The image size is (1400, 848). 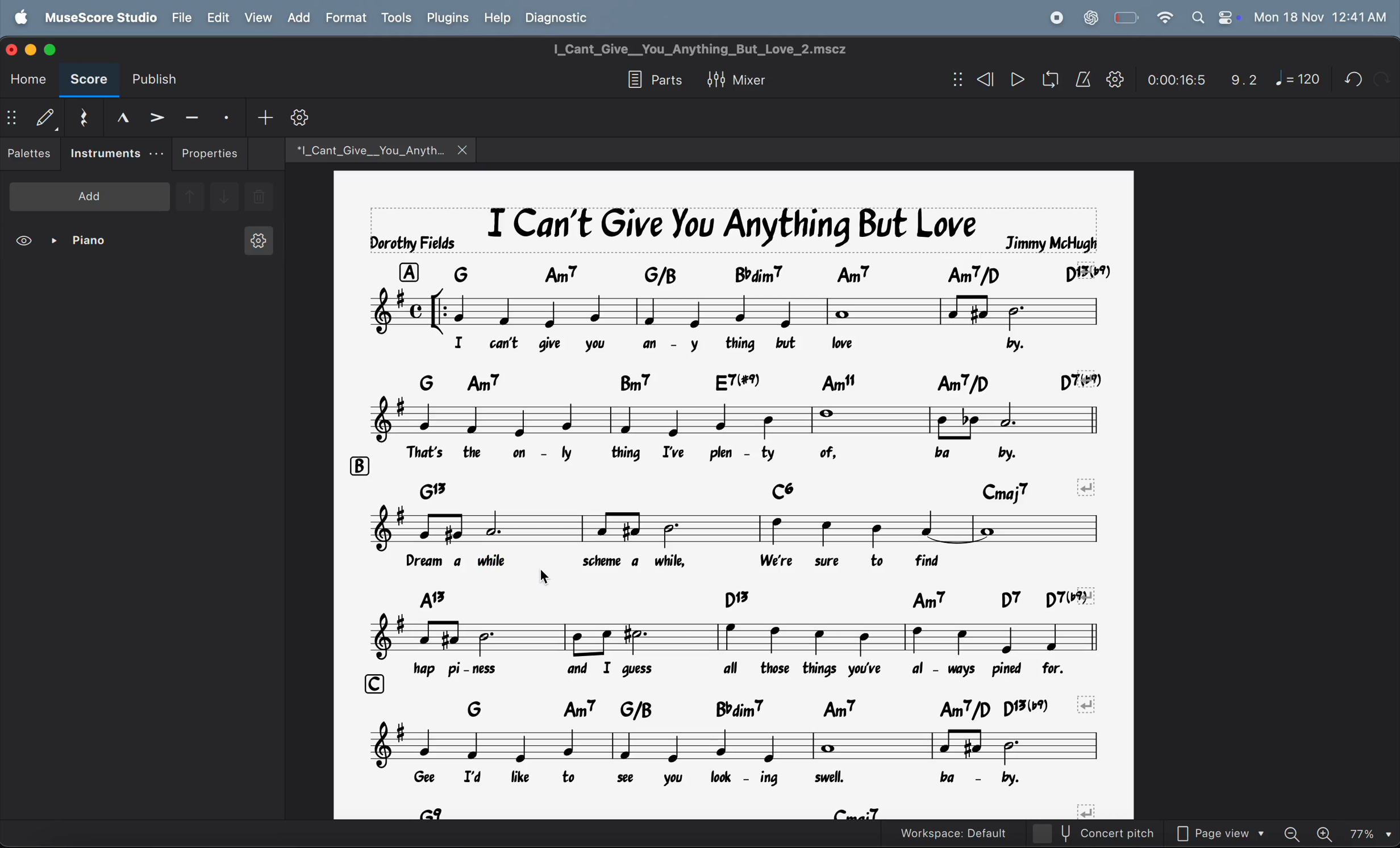 What do you see at coordinates (986, 79) in the screenshot?
I see `rewind` at bounding box center [986, 79].